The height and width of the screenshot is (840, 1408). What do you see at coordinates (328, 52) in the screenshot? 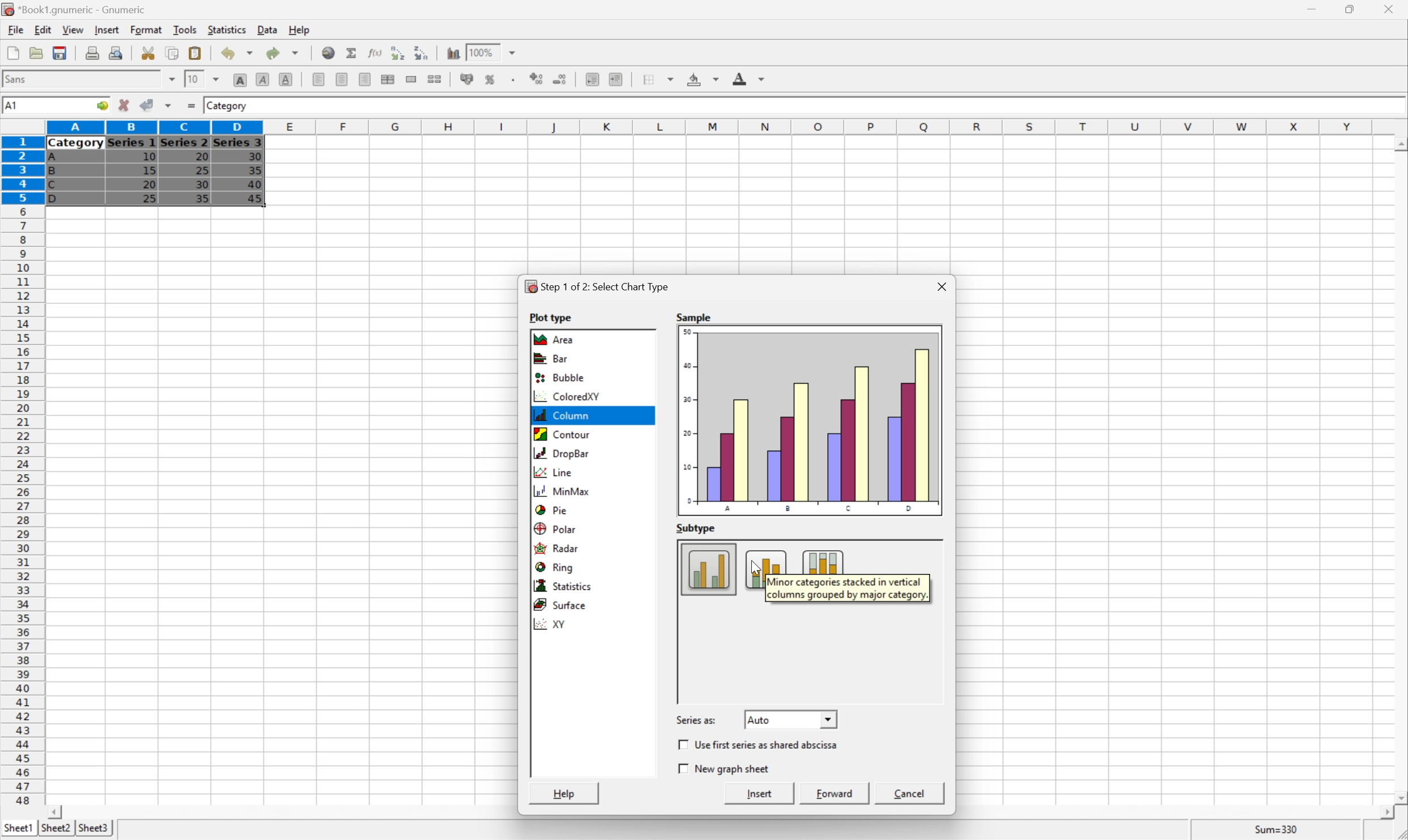
I see `Insert a hyperlink` at bounding box center [328, 52].